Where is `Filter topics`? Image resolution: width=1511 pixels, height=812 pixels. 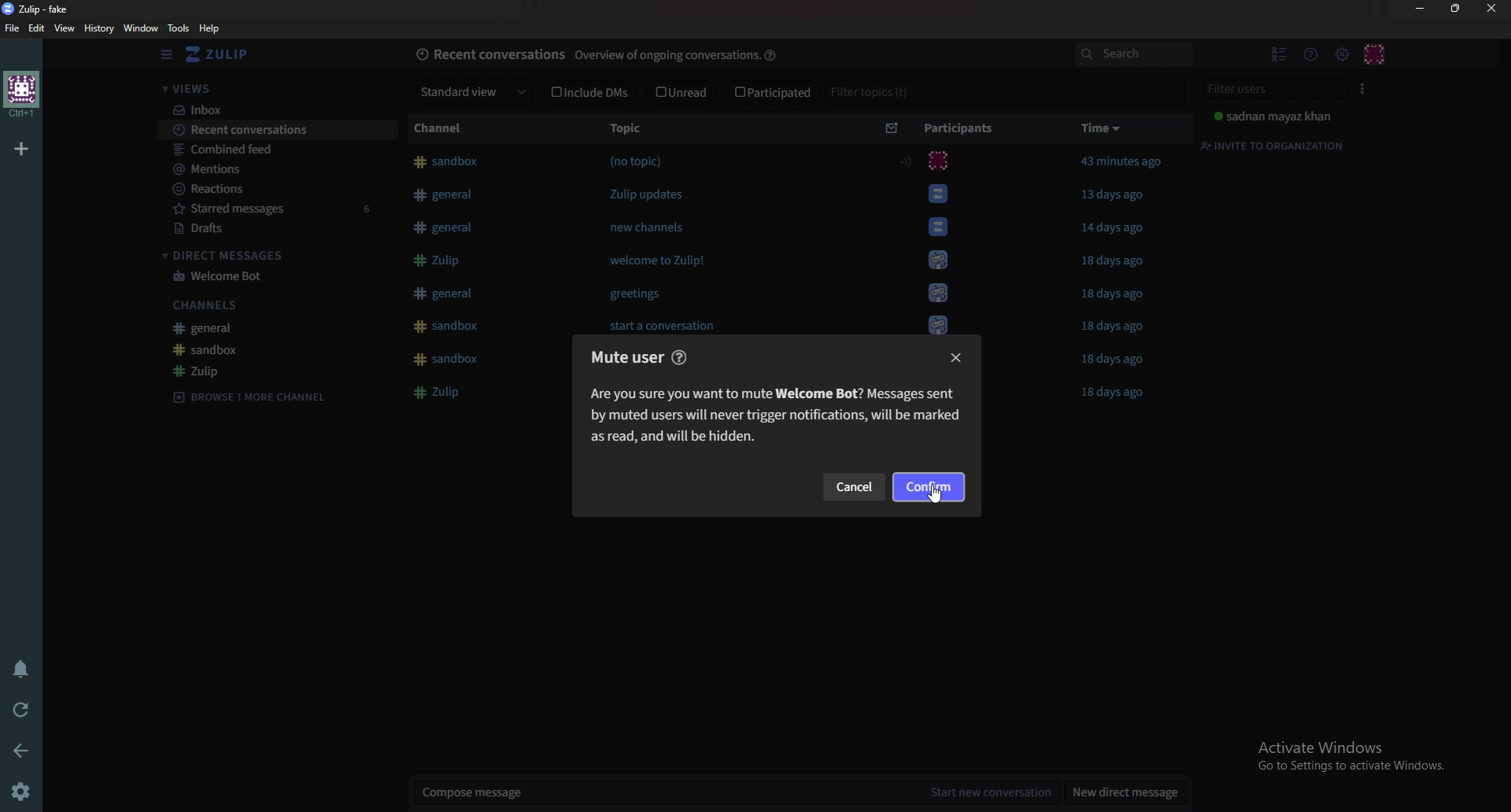
Filter topics is located at coordinates (870, 92).